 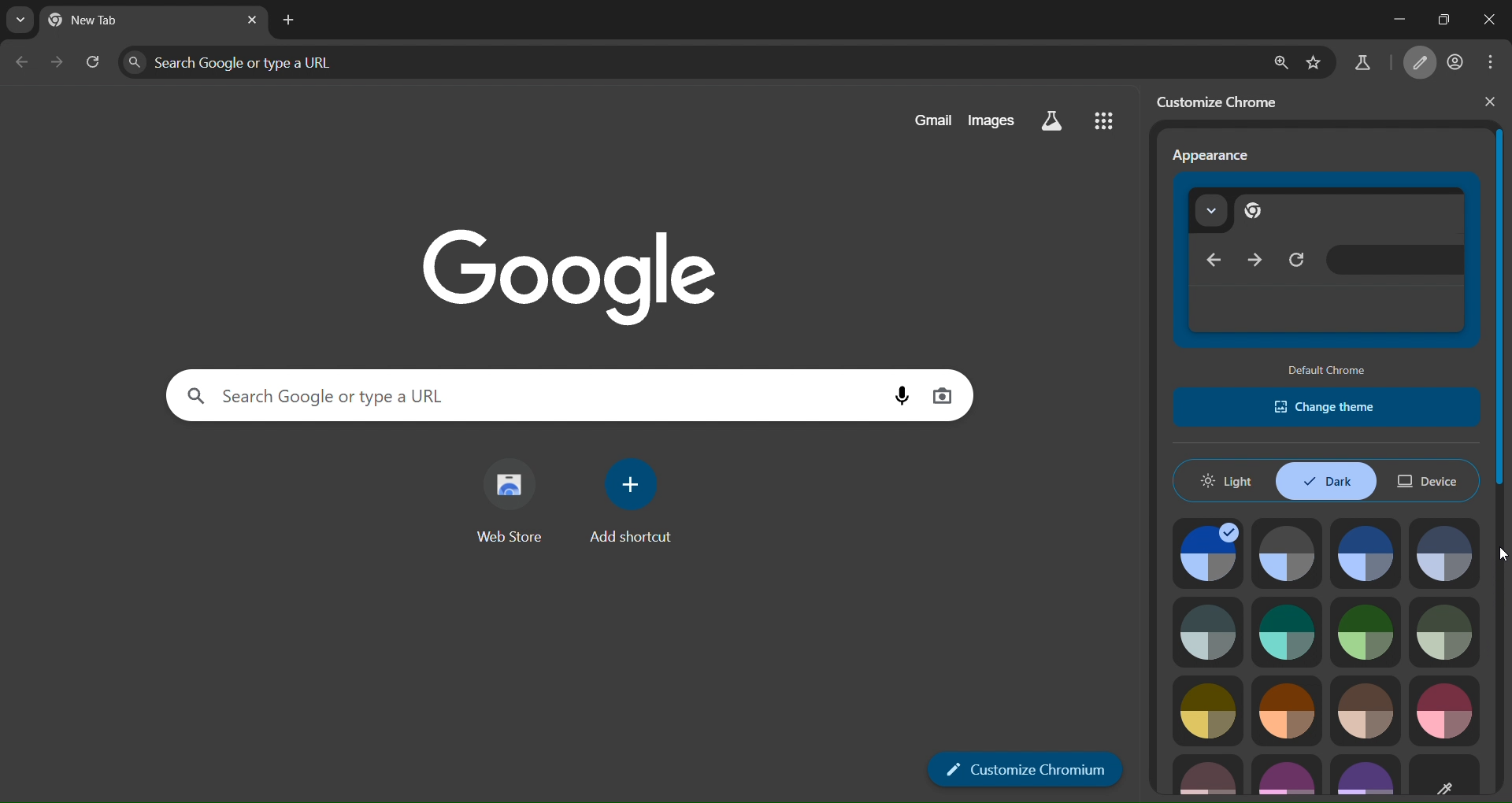 What do you see at coordinates (1026, 769) in the screenshot?
I see `customize chromium` at bounding box center [1026, 769].